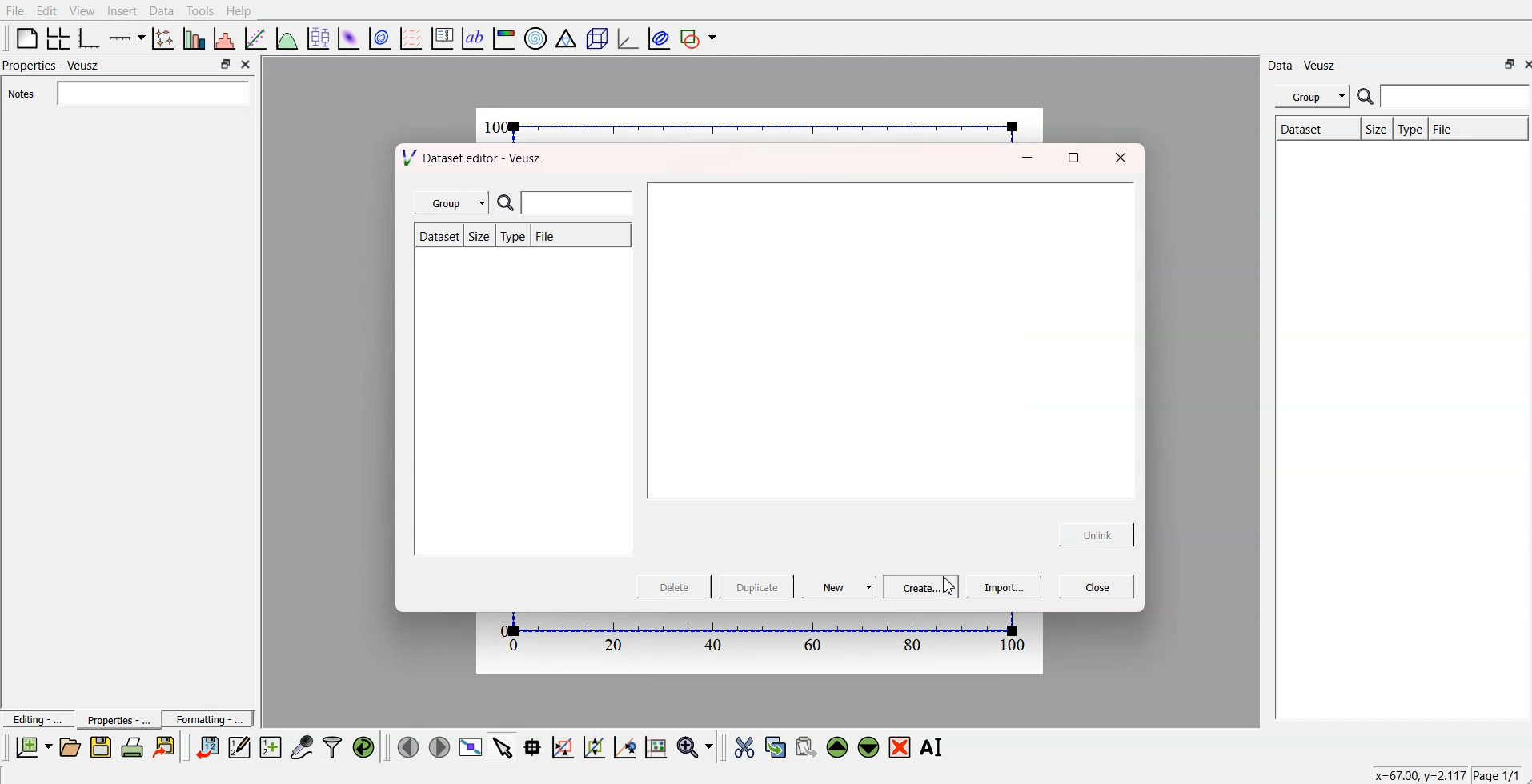 The height and width of the screenshot is (784, 1532). I want to click on Size, so click(1374, 129).